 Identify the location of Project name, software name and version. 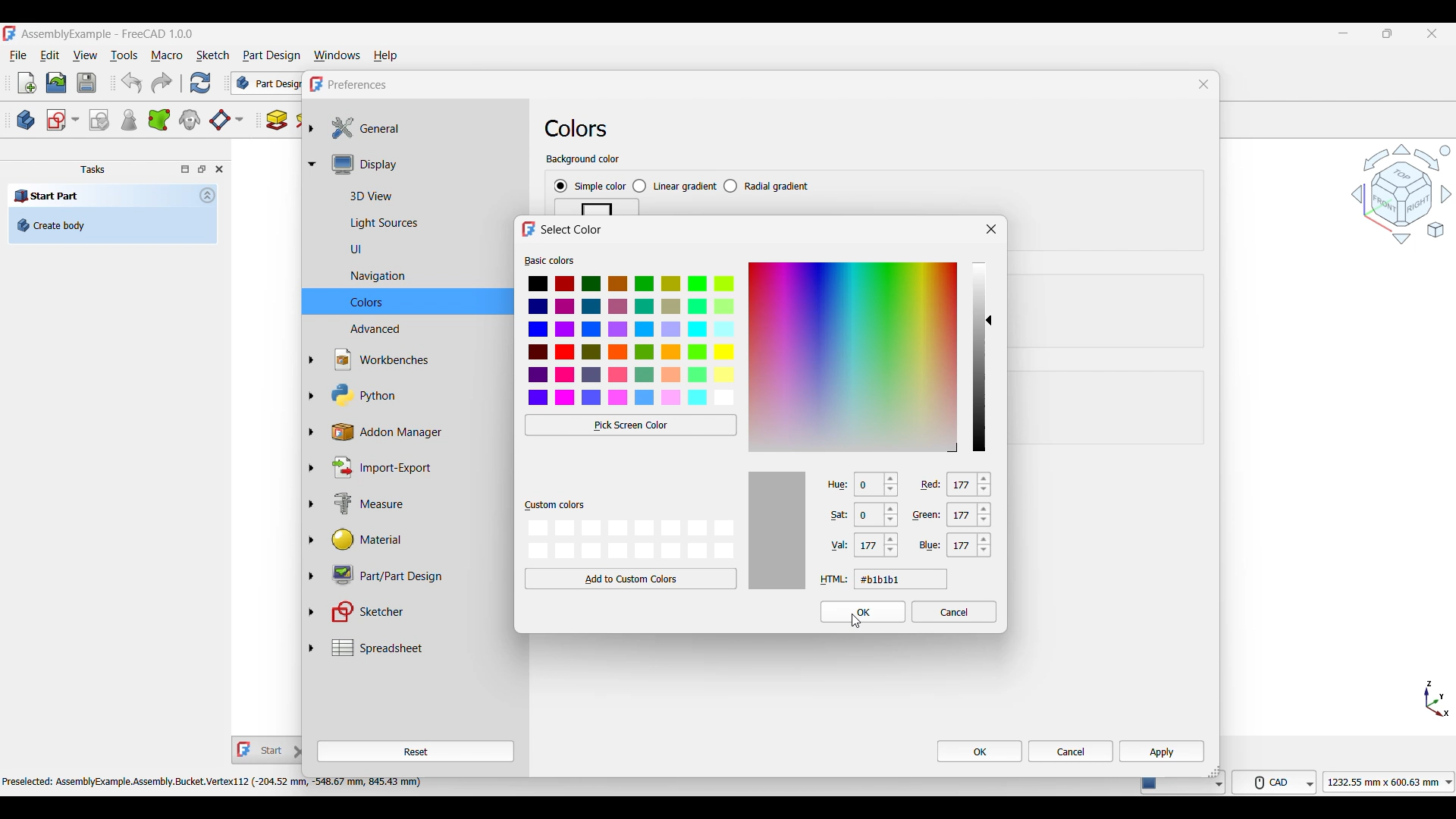
(108, 34).